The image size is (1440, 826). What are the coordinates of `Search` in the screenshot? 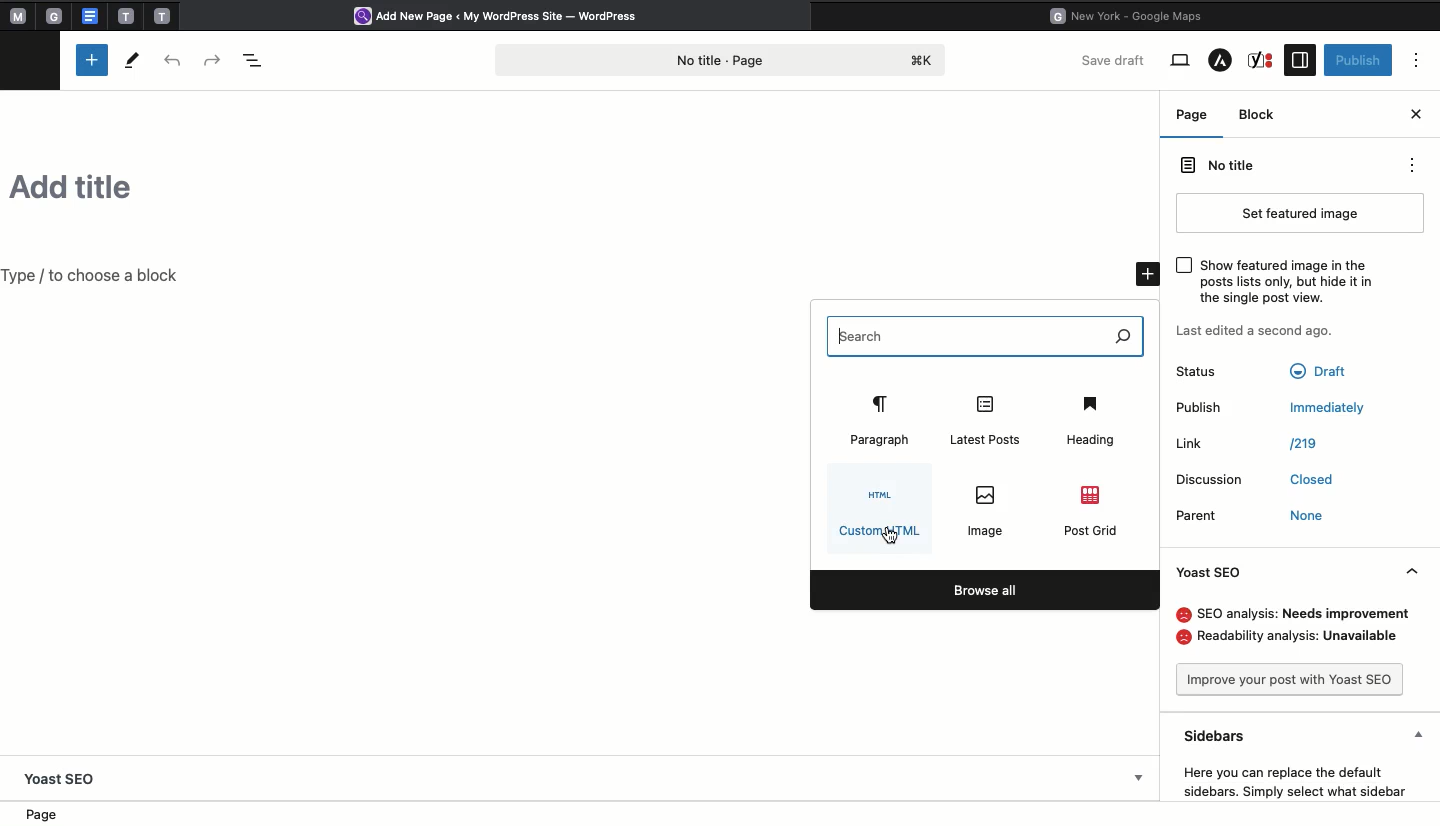 It's located at (985, 335).